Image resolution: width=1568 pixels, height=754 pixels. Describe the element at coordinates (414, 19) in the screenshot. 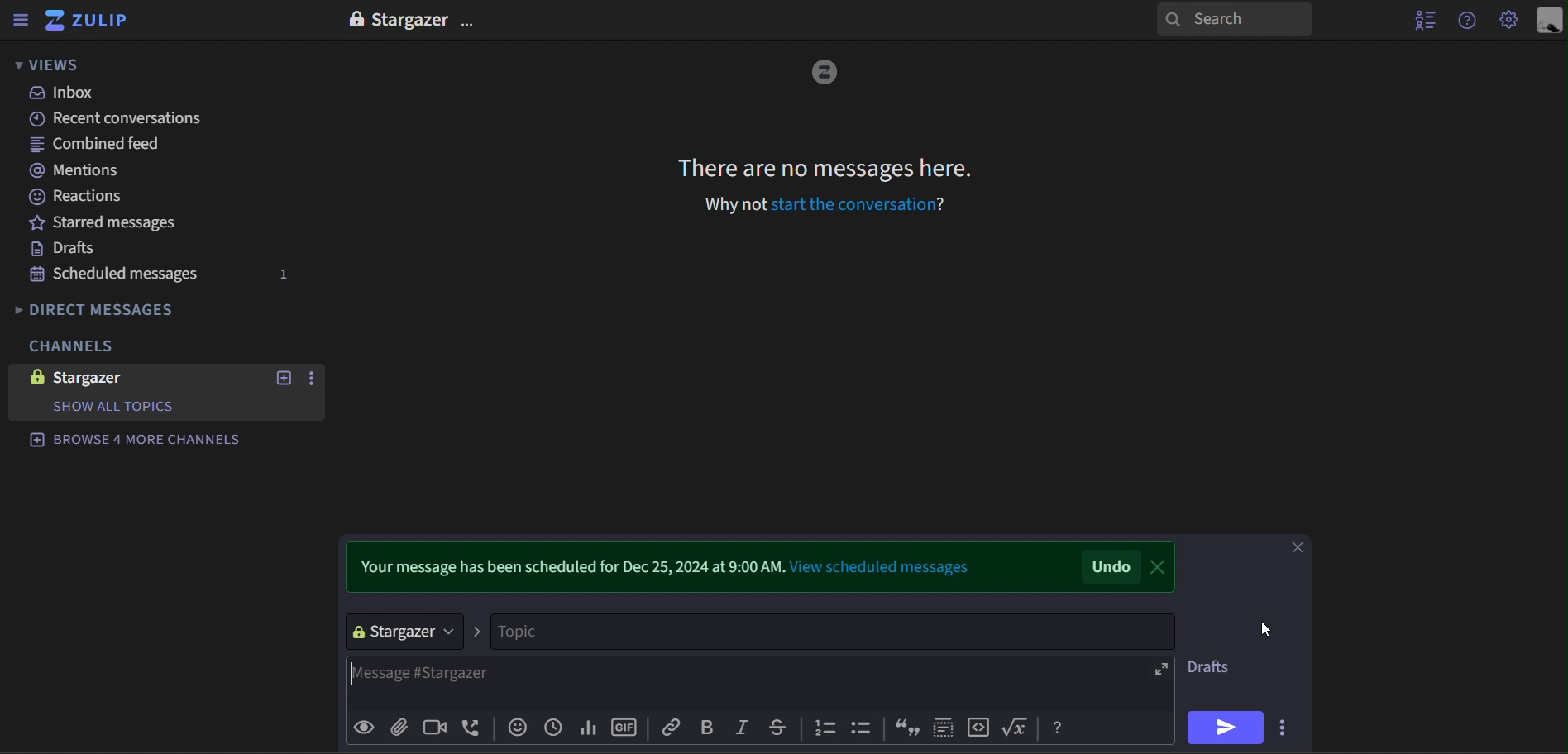

I see `Stargazer` at that location.